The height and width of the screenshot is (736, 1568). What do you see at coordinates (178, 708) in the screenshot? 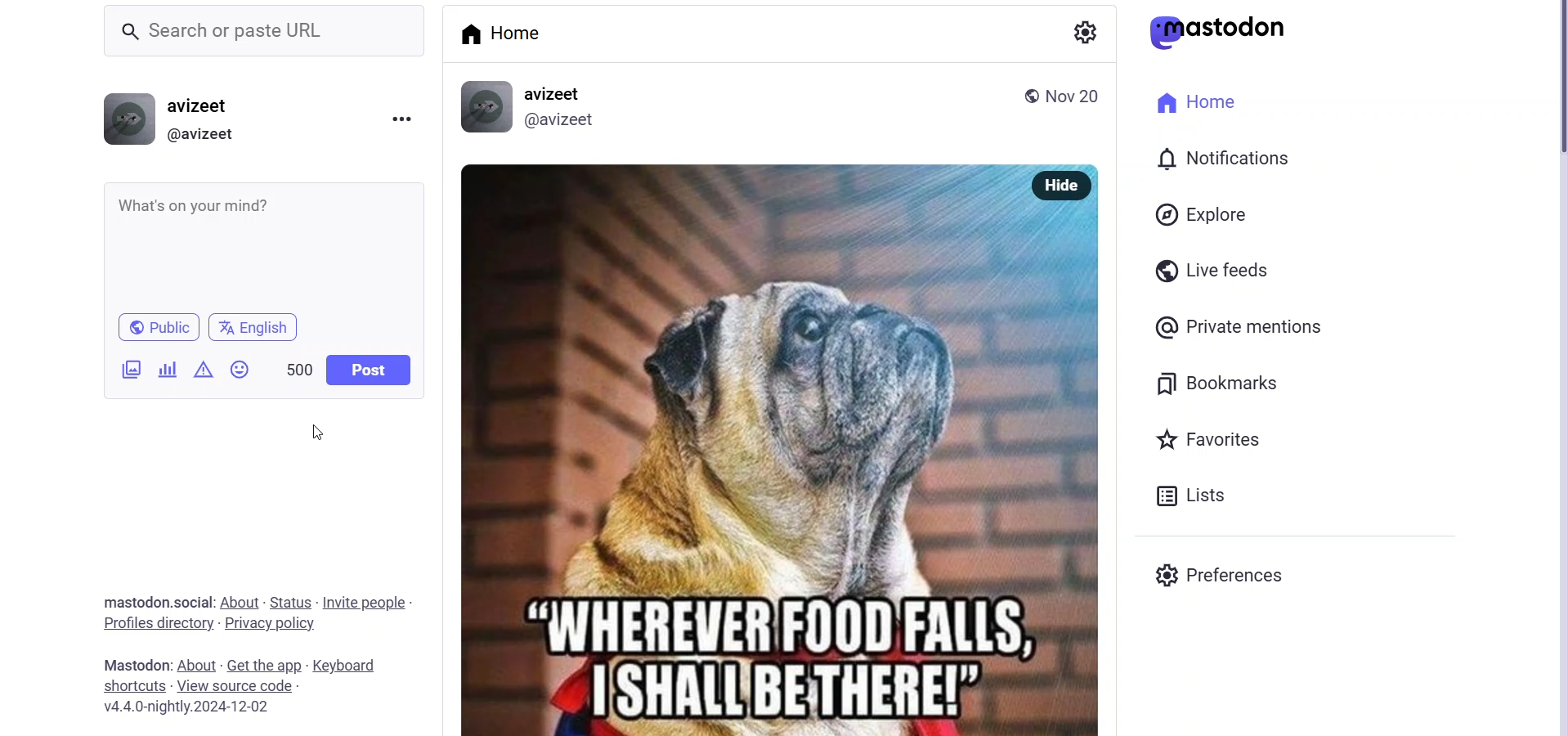
I see `v4.4.0-nightly.2024-12-02` at bounding box center [178, 708].